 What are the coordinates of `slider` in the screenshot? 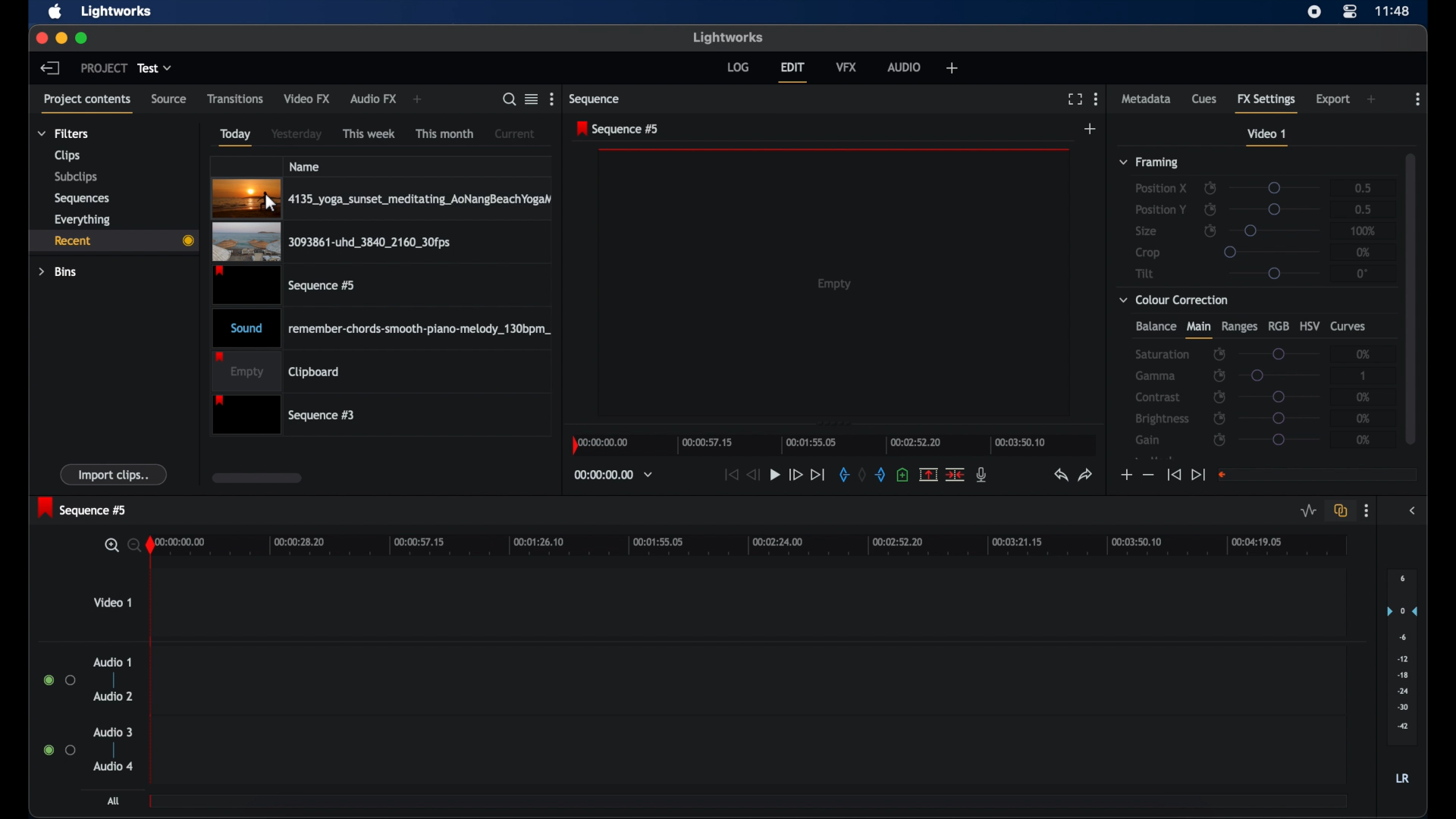 It's located at (1279, 418).